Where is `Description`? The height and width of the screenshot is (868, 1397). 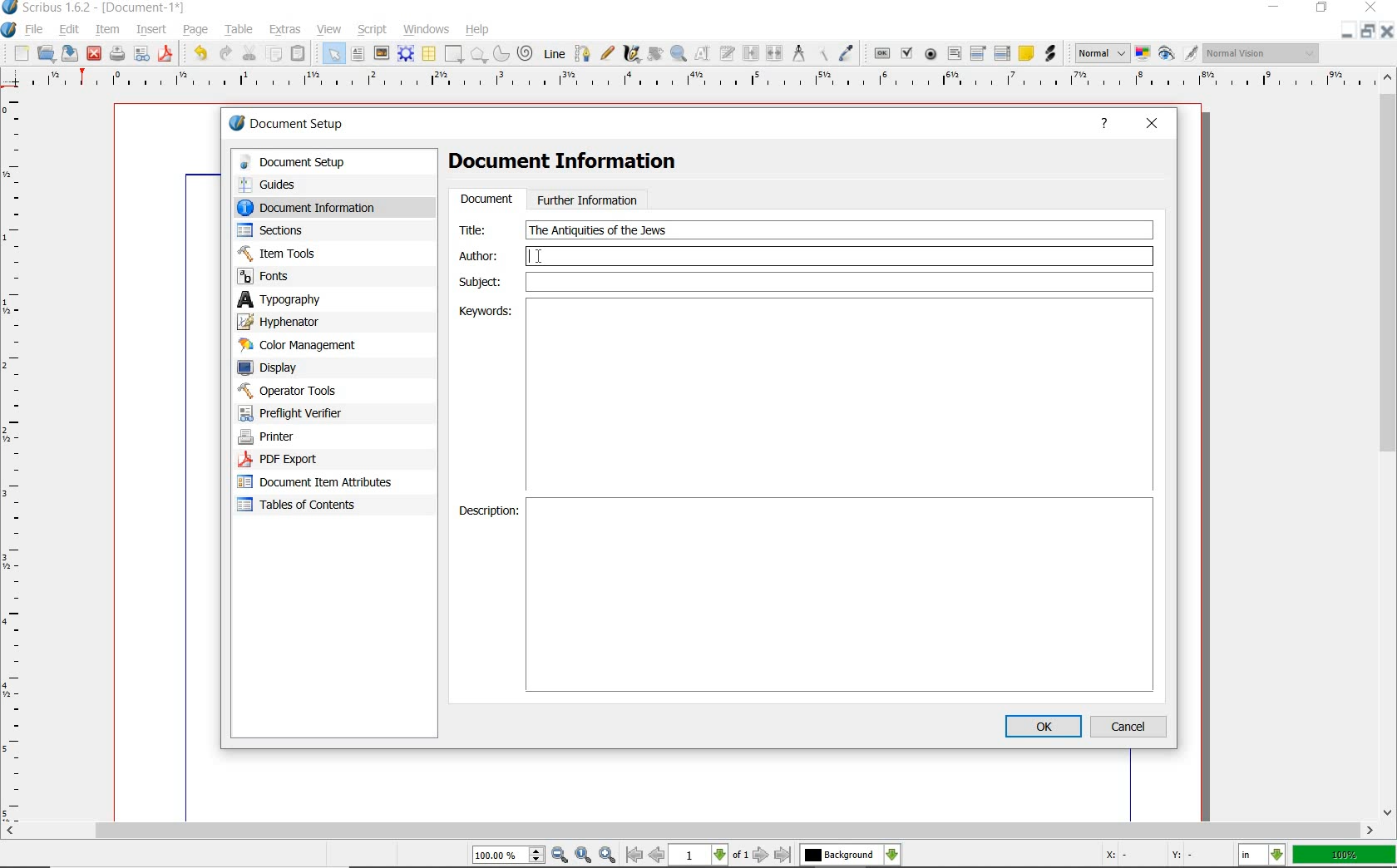
Description is located at coordinates (841, 595).